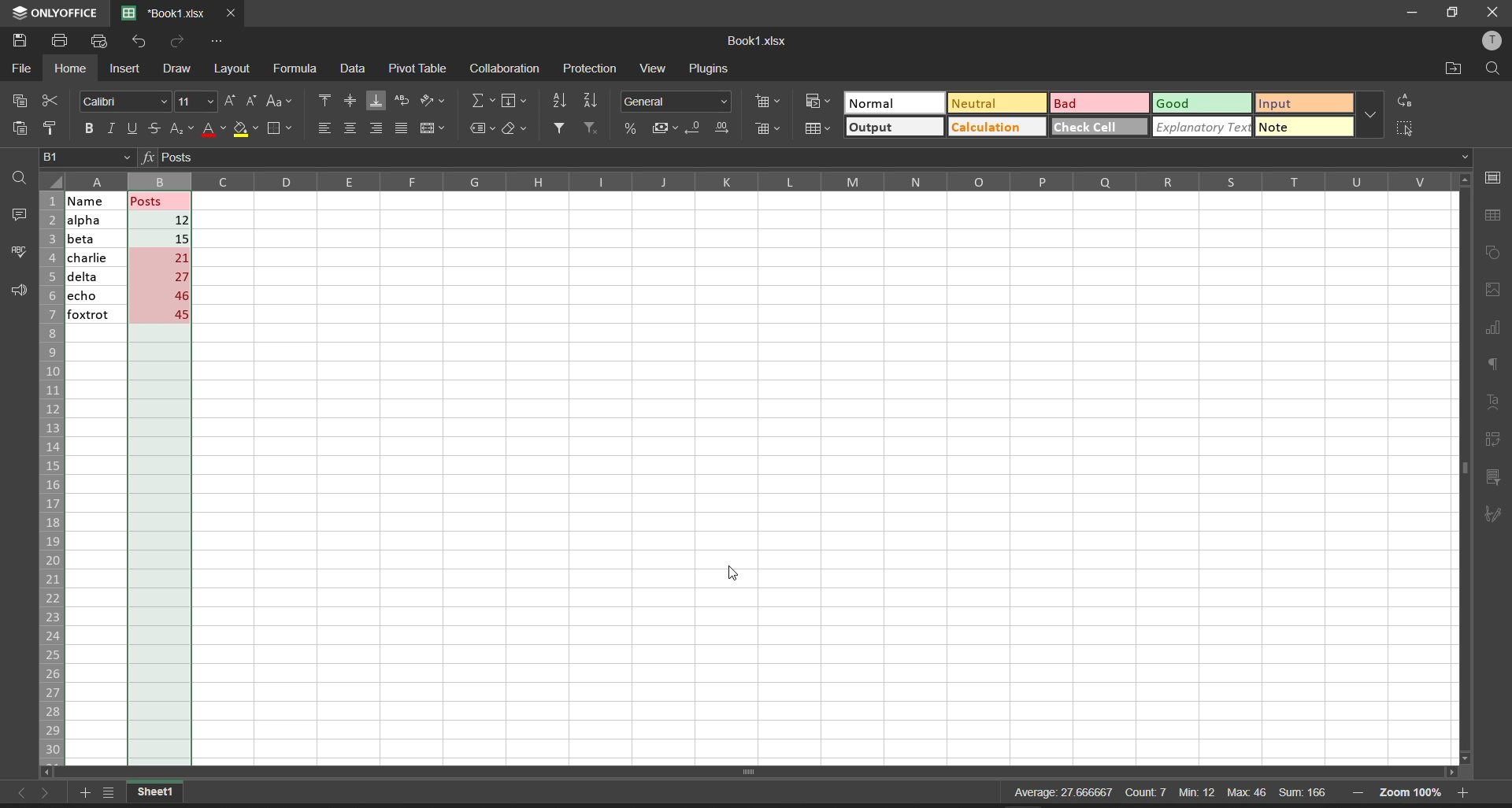  I want to click on select all, so click(57, 182).